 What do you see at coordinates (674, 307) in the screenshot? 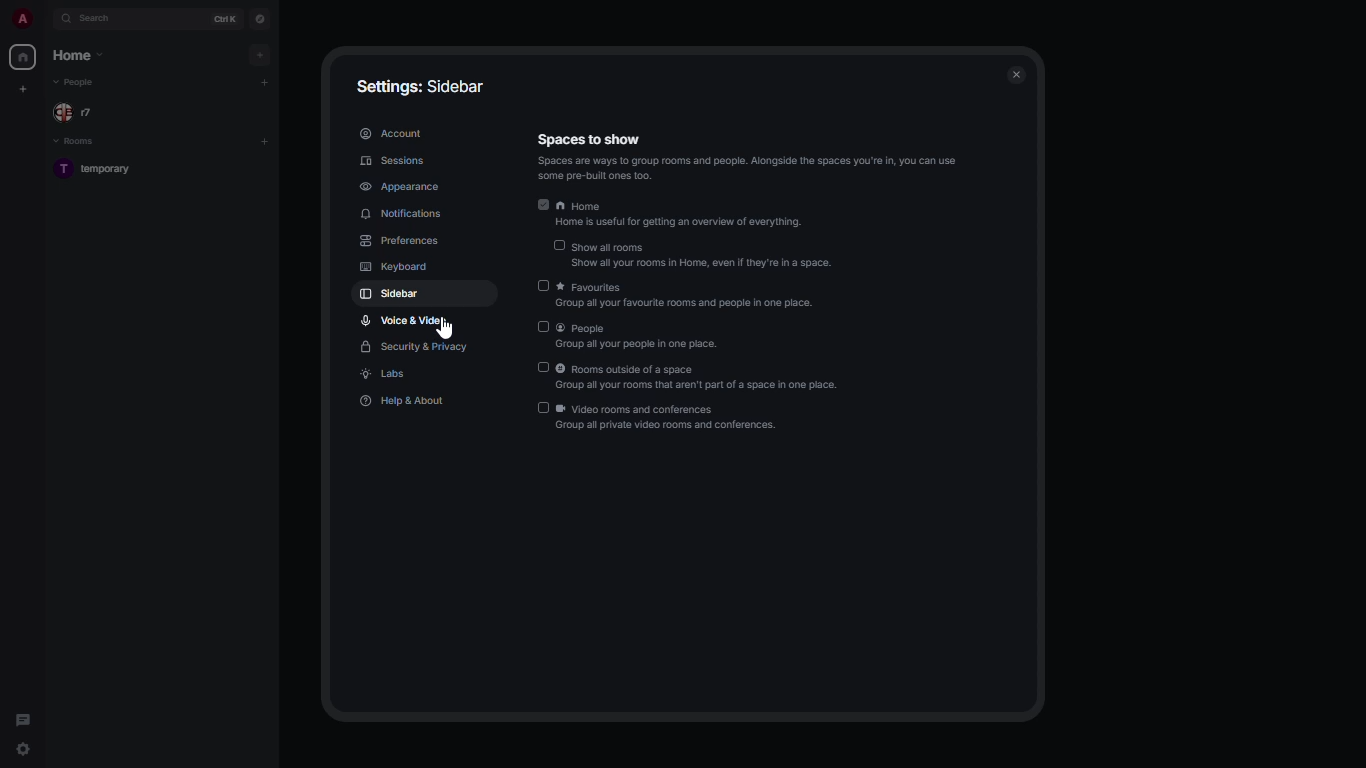
I see `ES PRT SNE FAS GE PUA GE pe,` at bounding box center [674, 307].